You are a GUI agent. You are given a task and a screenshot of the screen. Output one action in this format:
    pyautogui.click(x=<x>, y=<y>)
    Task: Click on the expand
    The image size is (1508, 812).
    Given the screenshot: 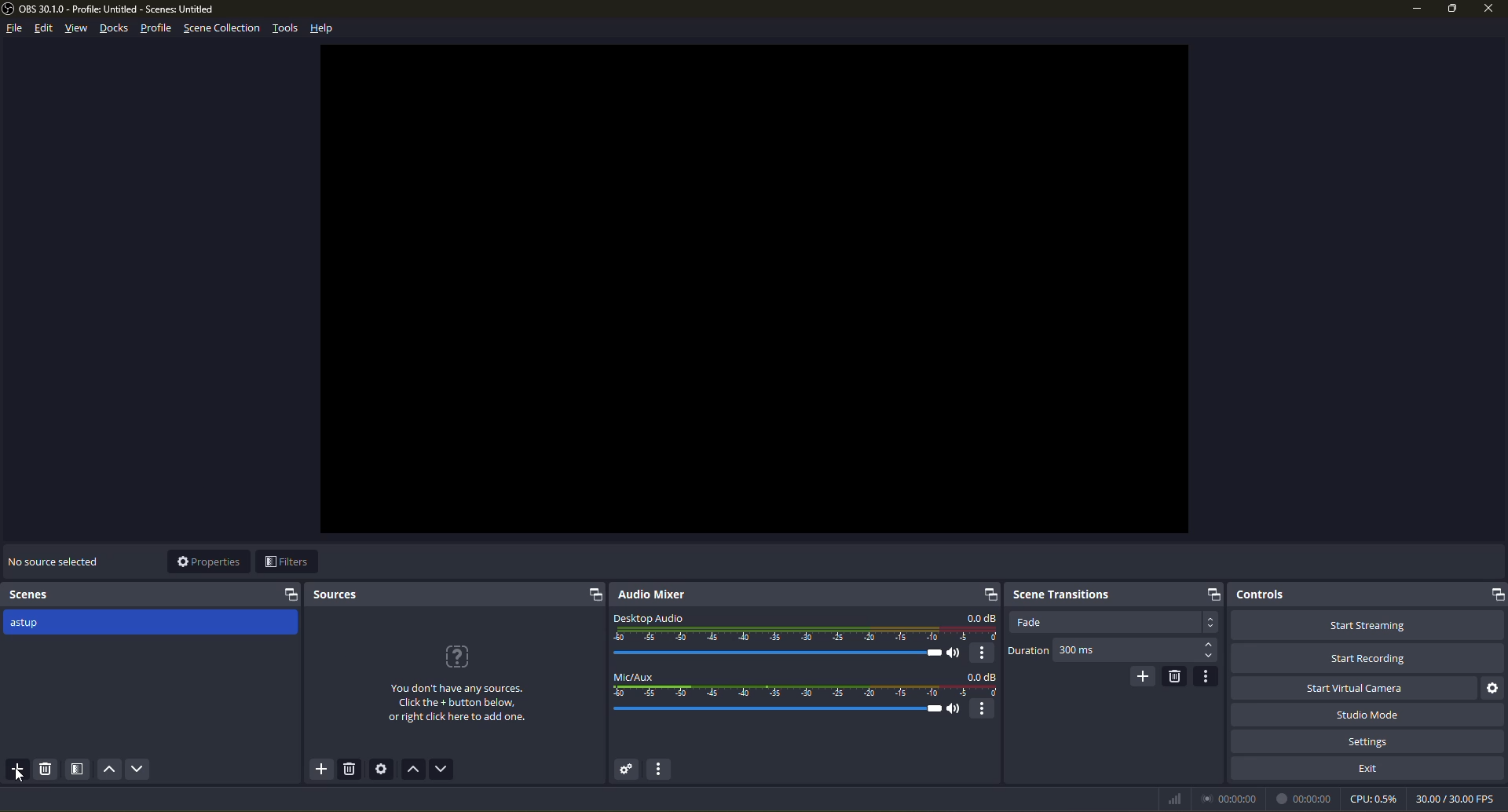 What is the action you would take?
    pyautogui.click(x=1495, y=593)
    